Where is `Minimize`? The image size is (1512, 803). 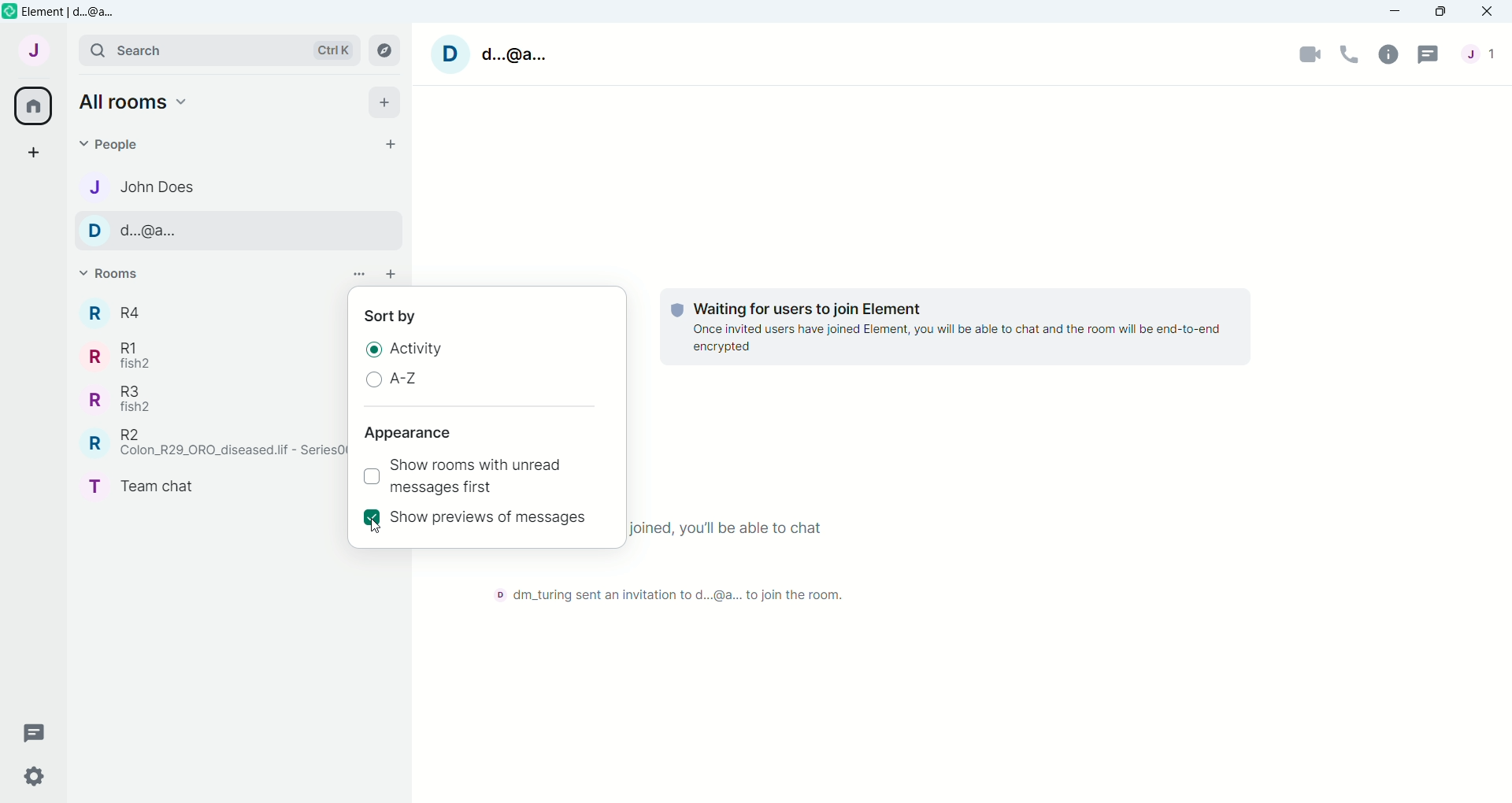
Minimize is located at coordinates (1395, 11).